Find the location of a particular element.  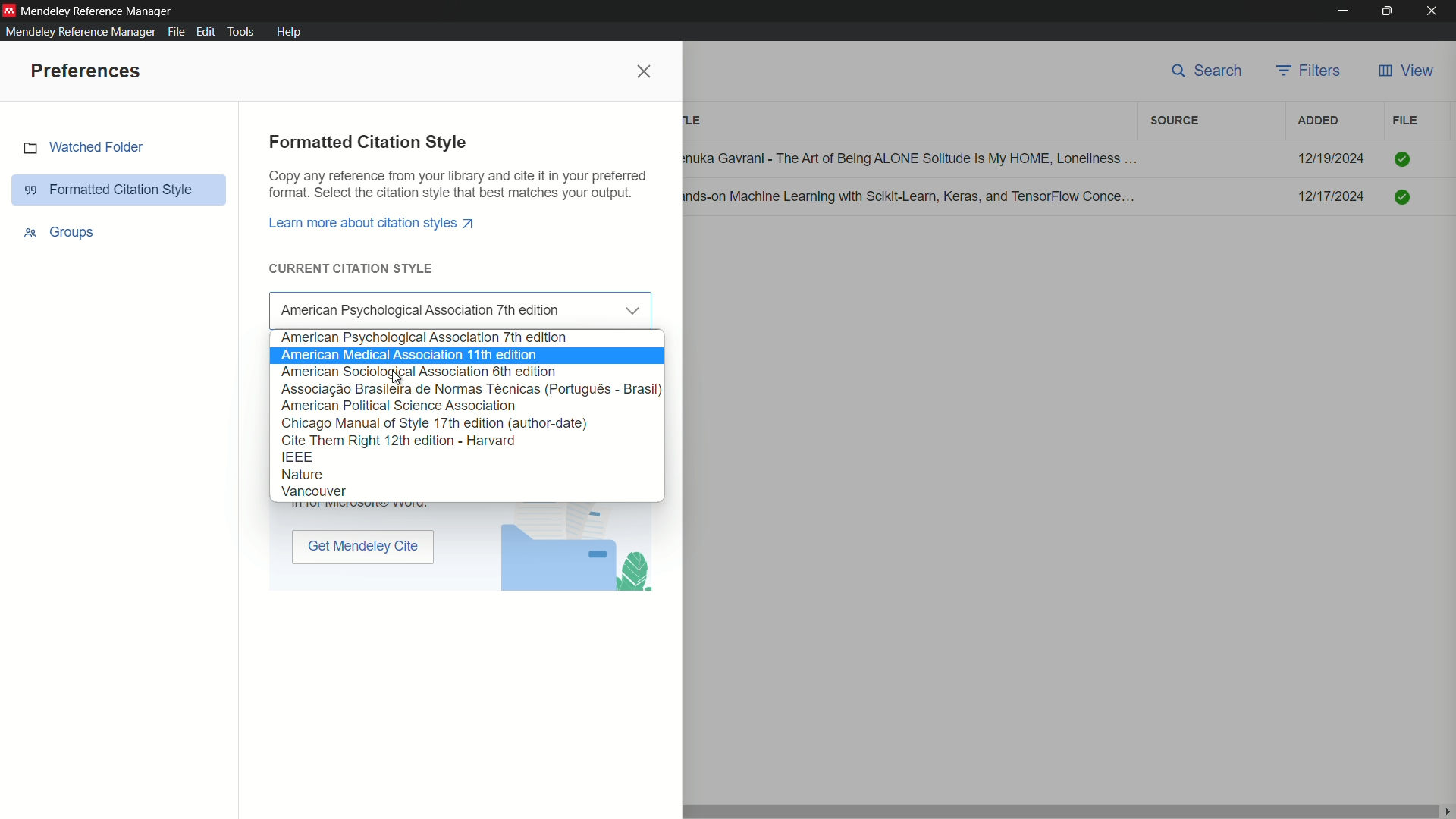

view is located at coordinates (1406, 73).